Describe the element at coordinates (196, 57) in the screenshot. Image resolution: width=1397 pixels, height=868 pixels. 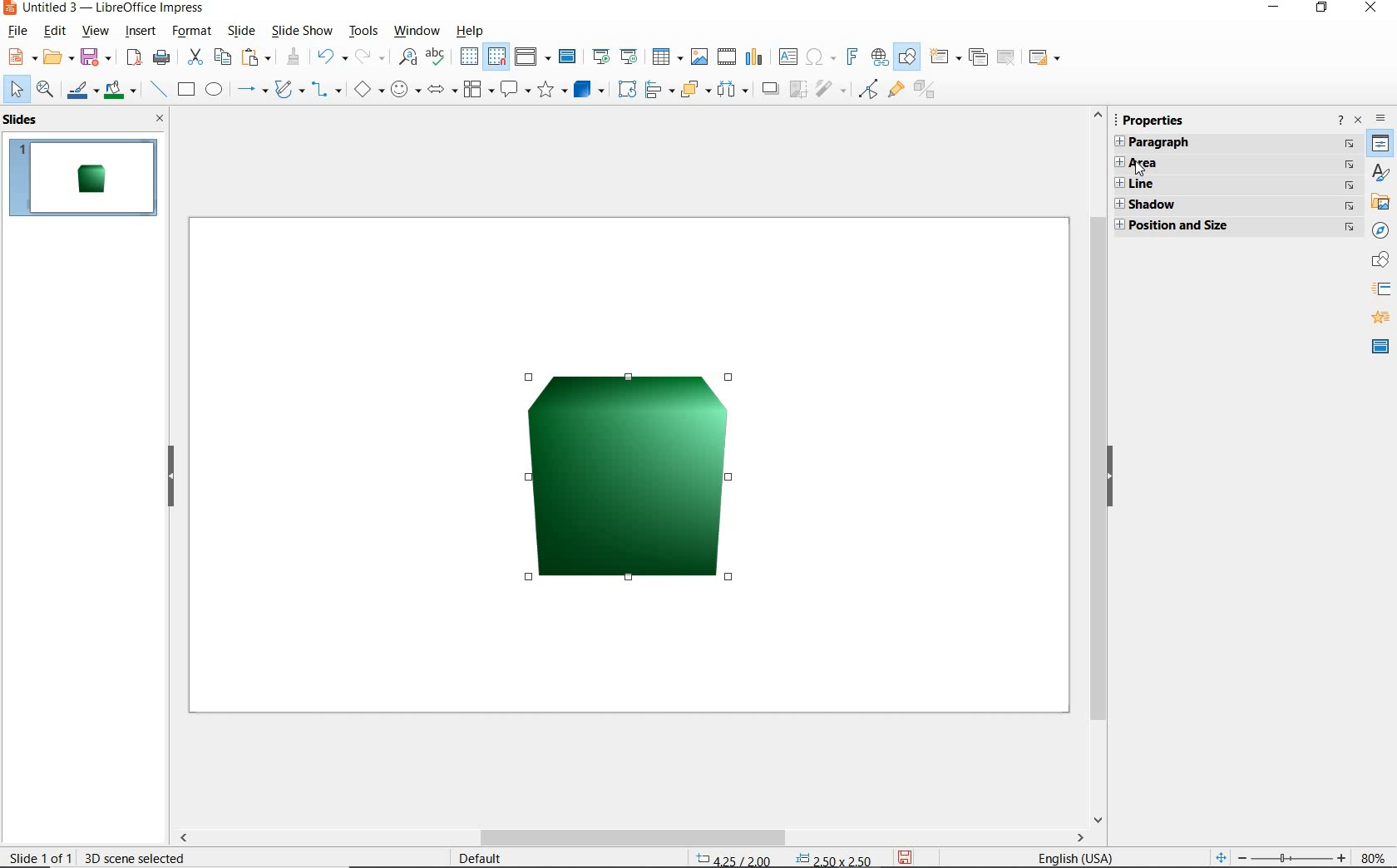
I see `cut` at that location.